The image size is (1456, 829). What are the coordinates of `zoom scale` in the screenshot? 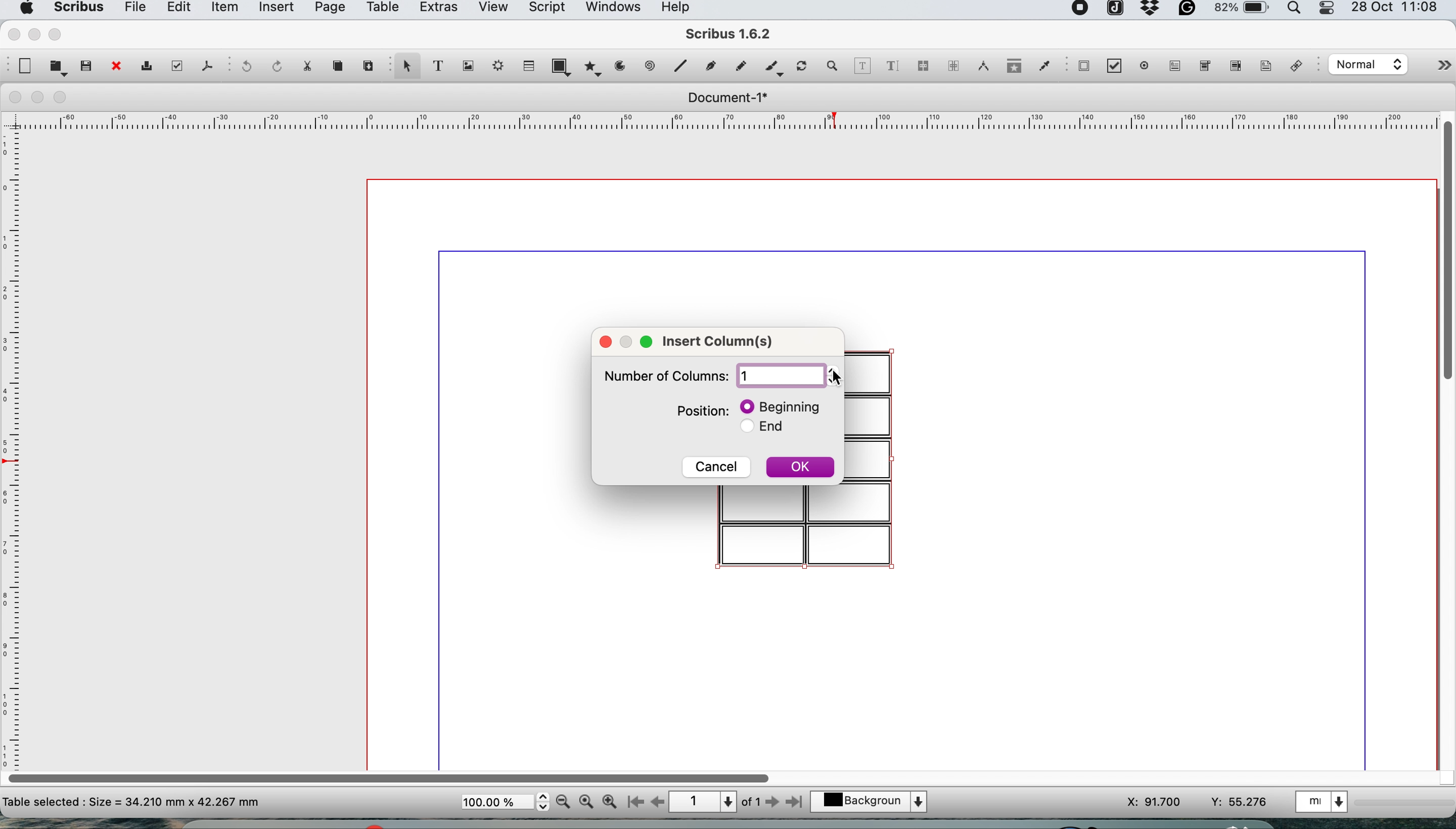 It's located at (505, 802).